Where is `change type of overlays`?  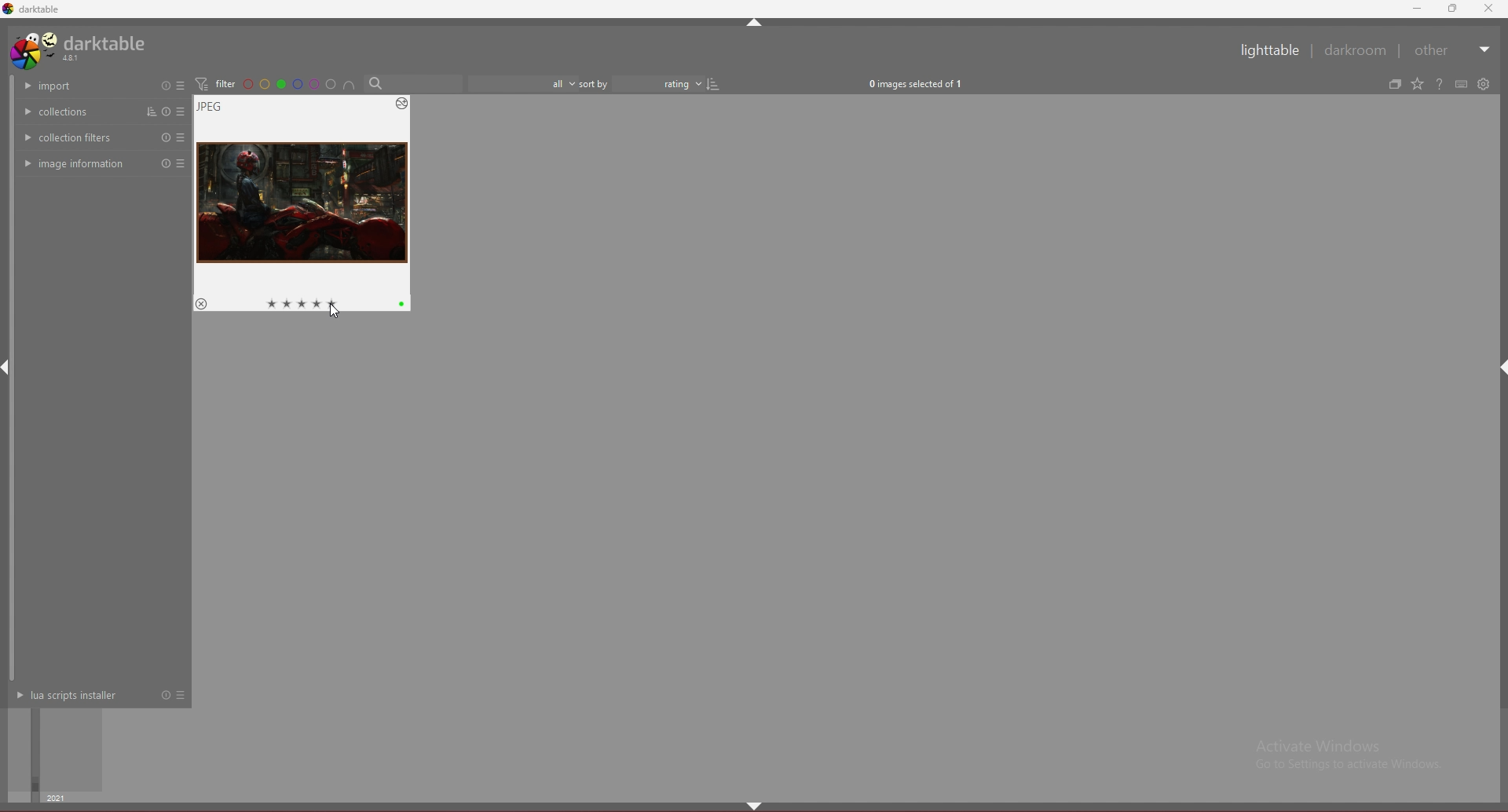 change type of overlays is located at coordinates (1418, 85).